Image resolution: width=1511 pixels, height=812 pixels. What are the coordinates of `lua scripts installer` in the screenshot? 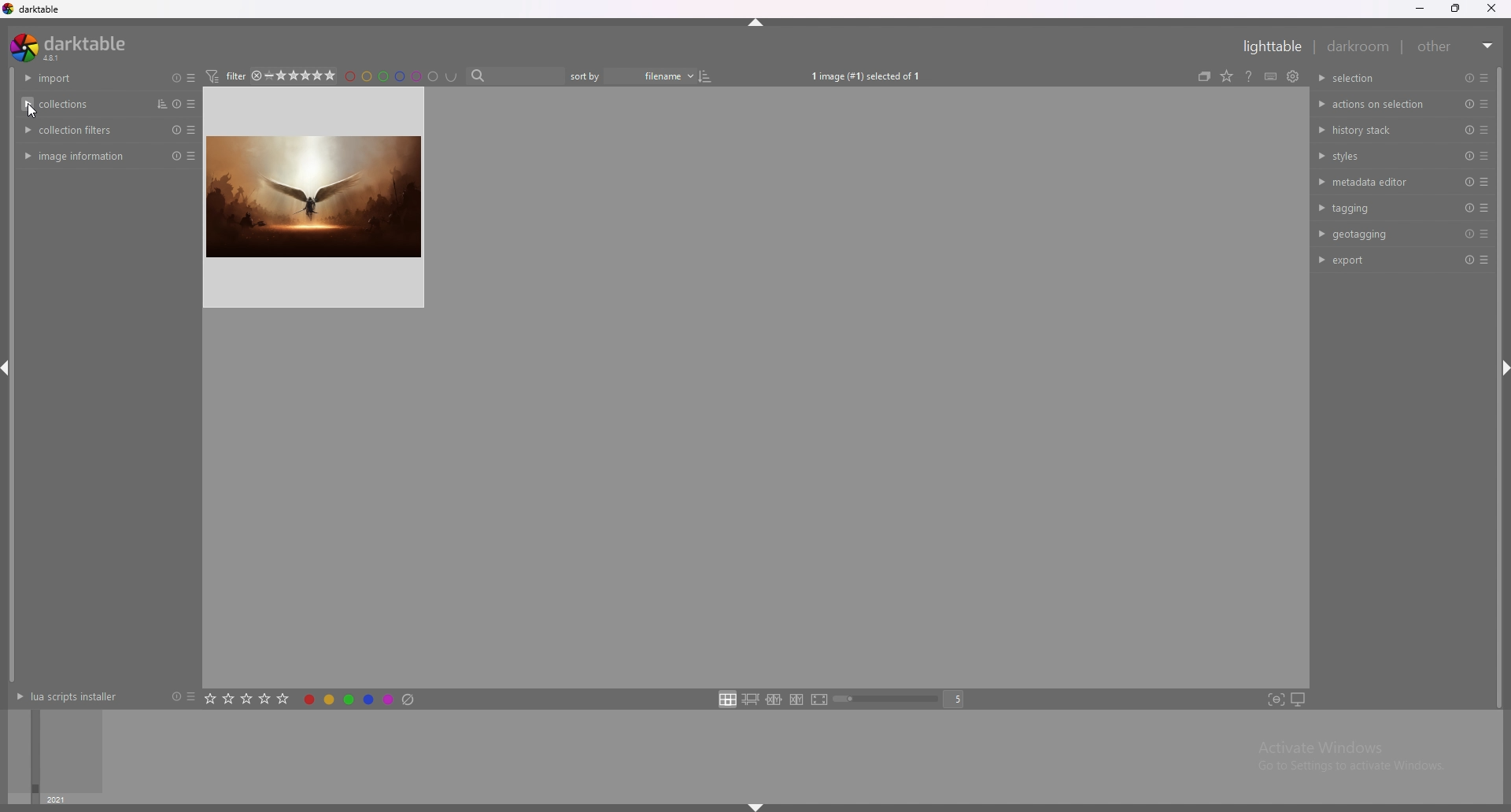 It's located at (65, 696).